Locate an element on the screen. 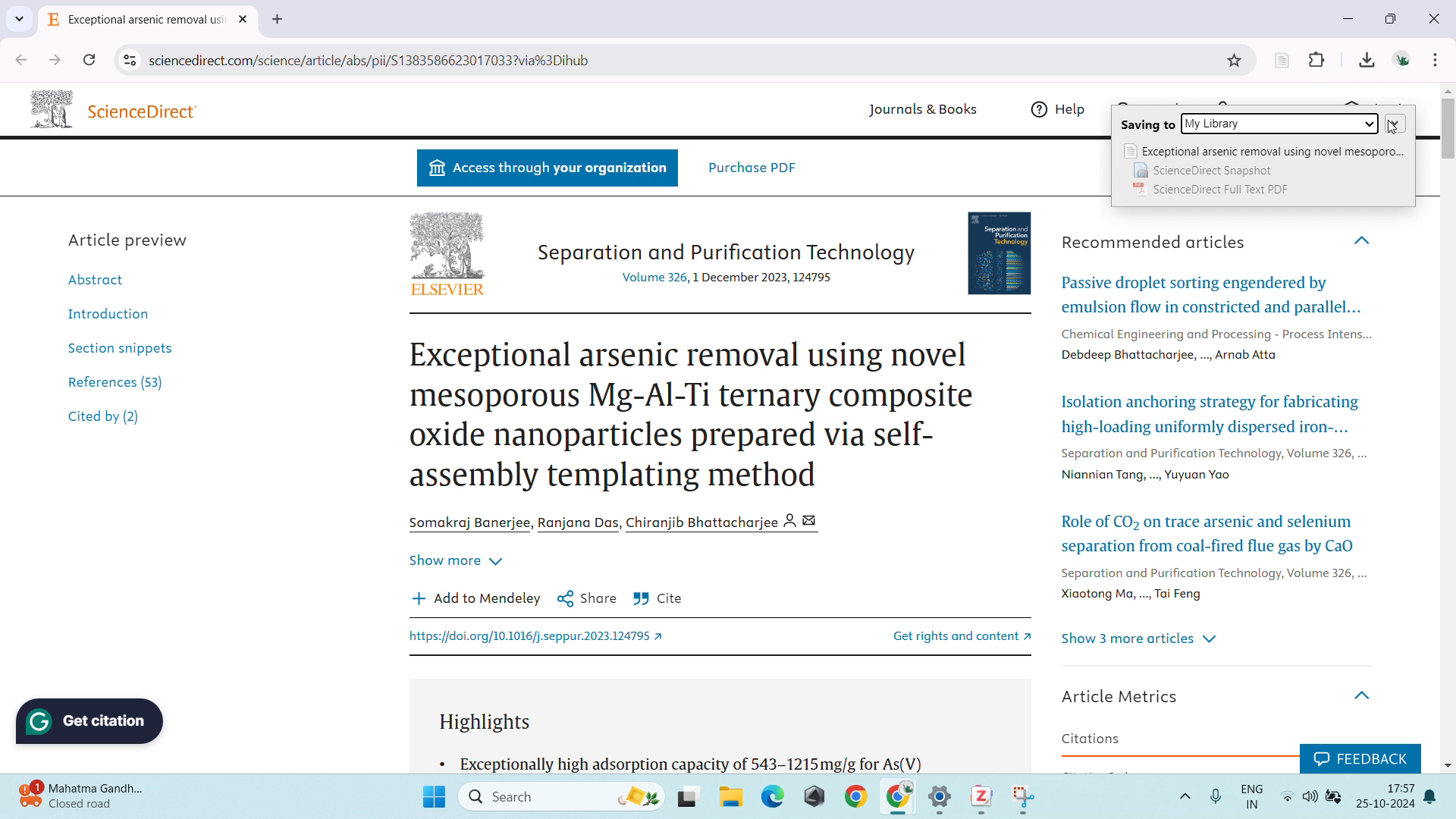 The width and height of the screenshot is (1456, 819). Abstract is located at coordinates (103, 278).